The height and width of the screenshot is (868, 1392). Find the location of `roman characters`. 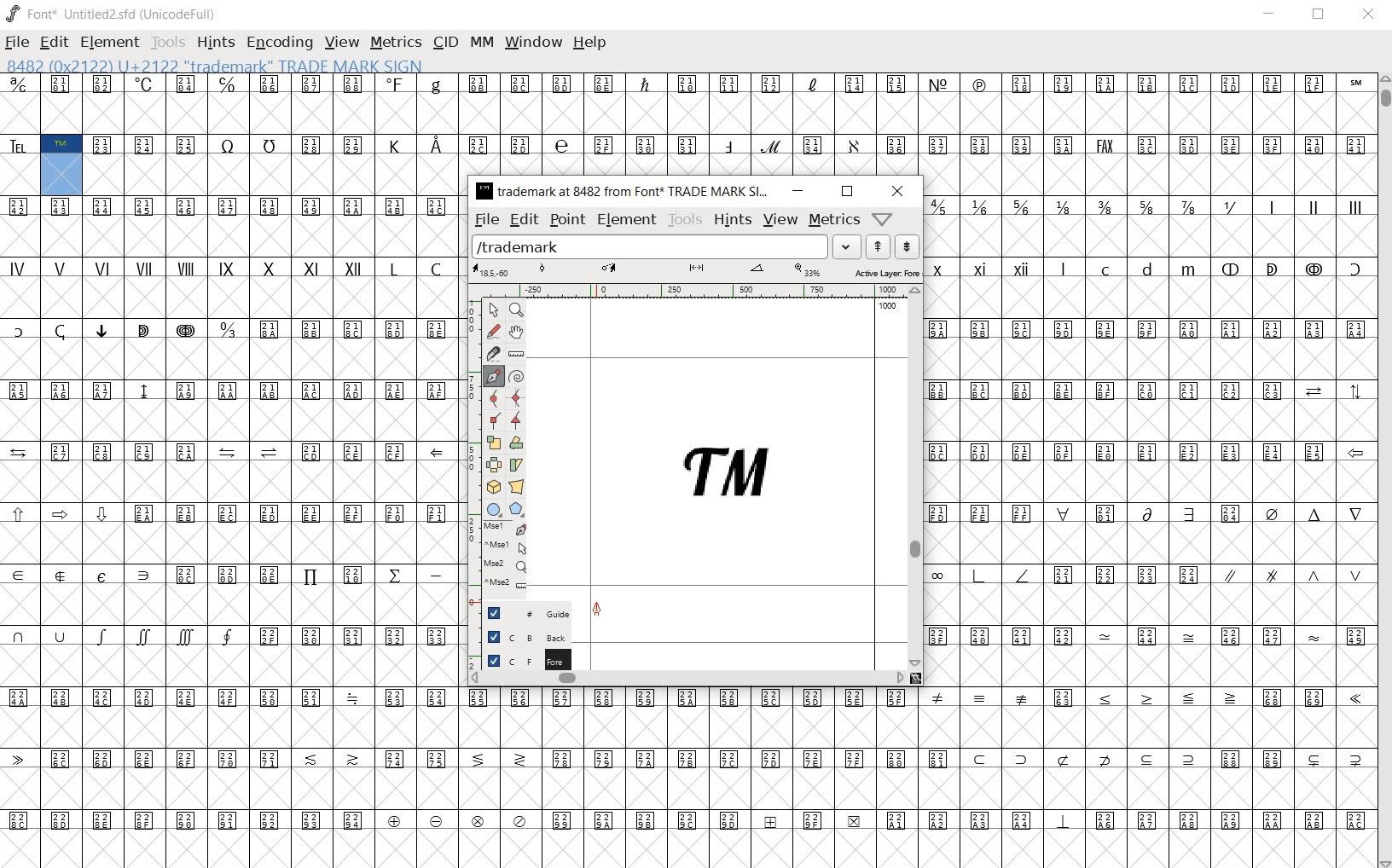

roman characters is located at coordinates (988, 286).